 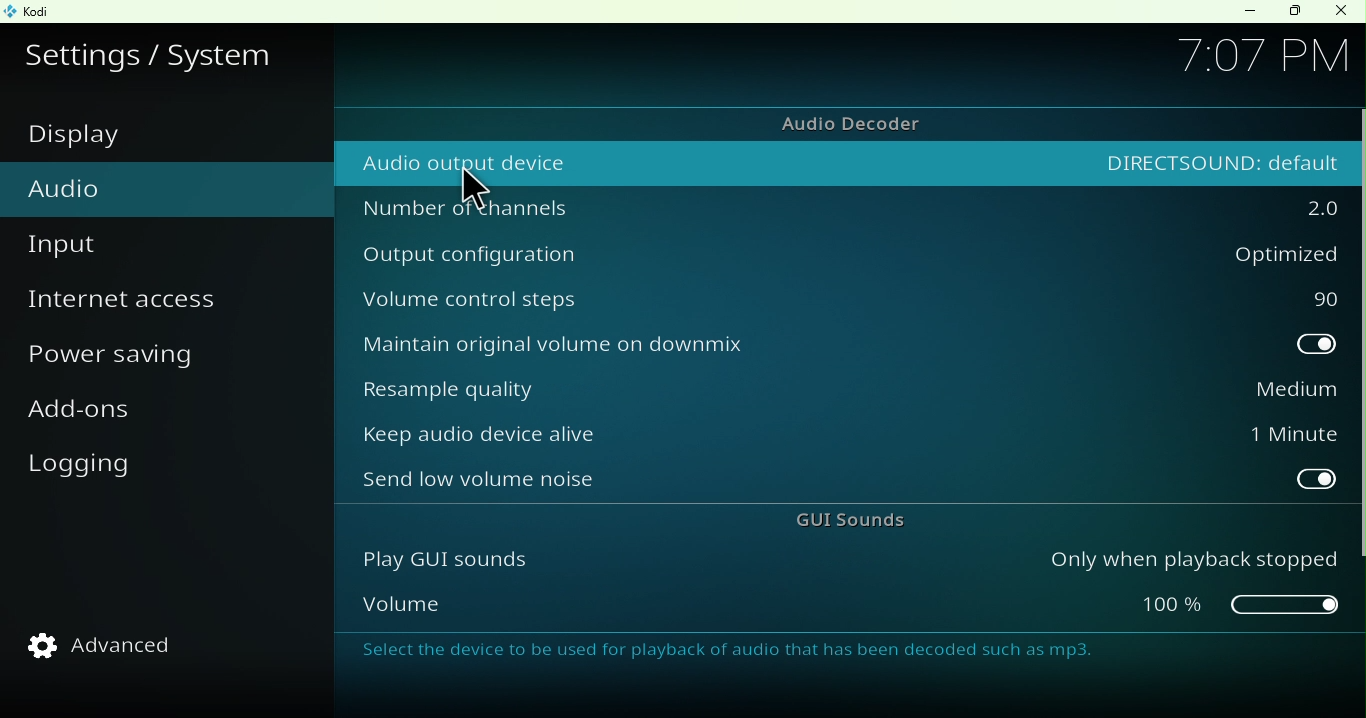 I want to click on slider, so click(x=1193, y=610).